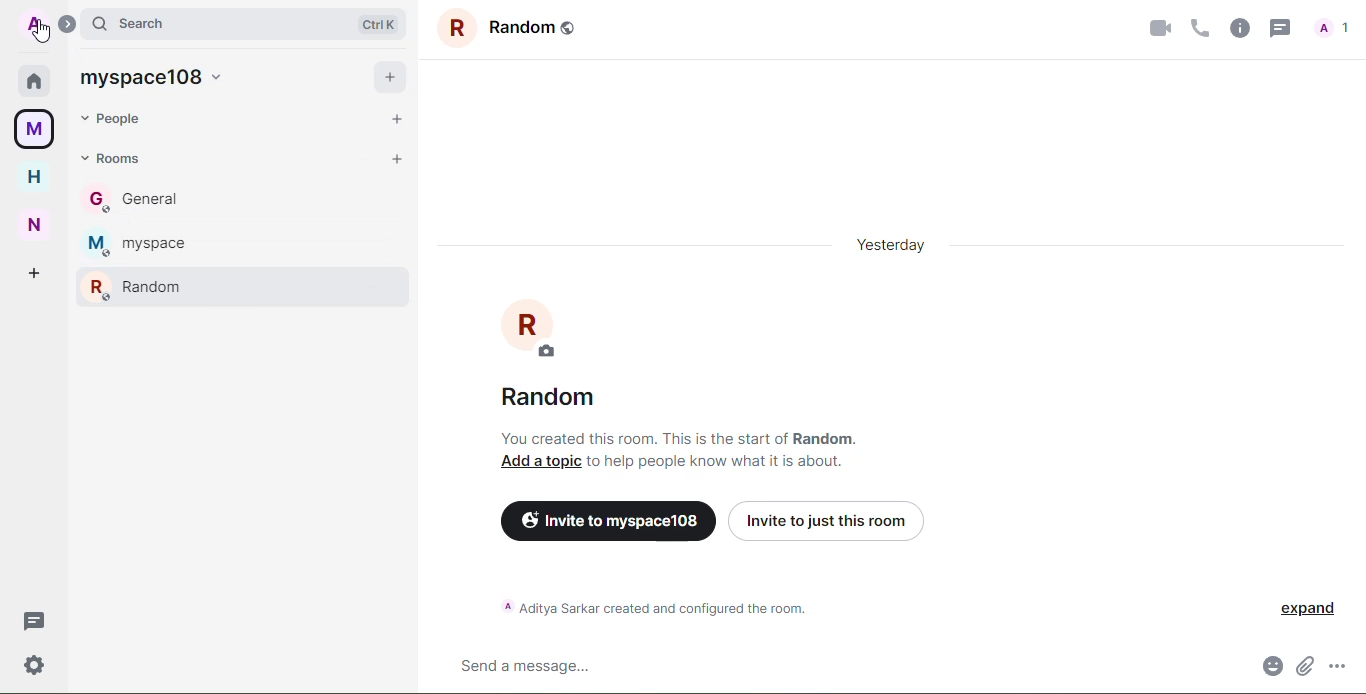 The image size is (1366, 694). I want to click on add, so click(396, 118).